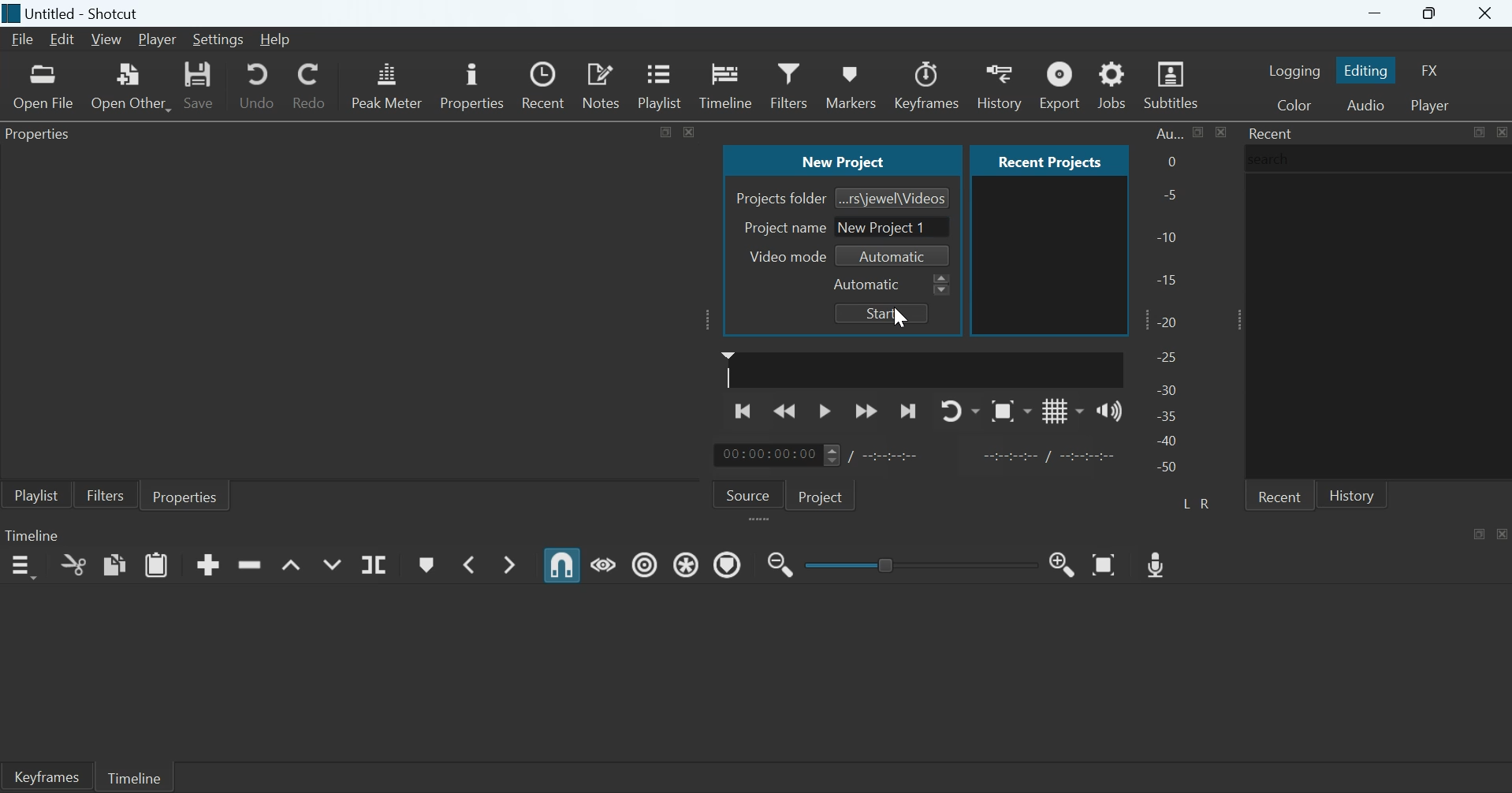 This screenshot has height=793, width=1512. I want to click on Scroll buttons, so click(831, 455).